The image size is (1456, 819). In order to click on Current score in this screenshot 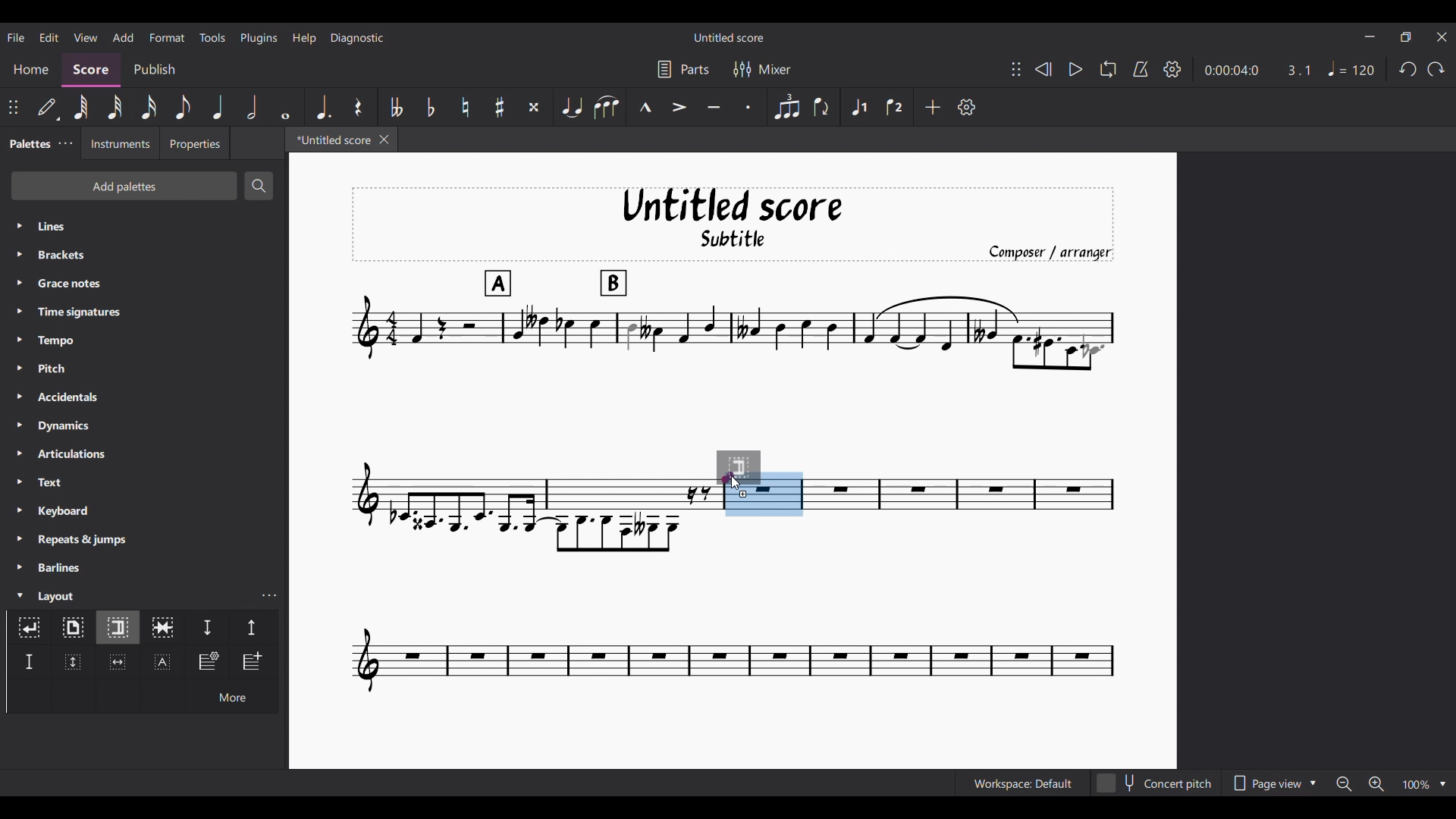, I will do `click(532, 483)`.